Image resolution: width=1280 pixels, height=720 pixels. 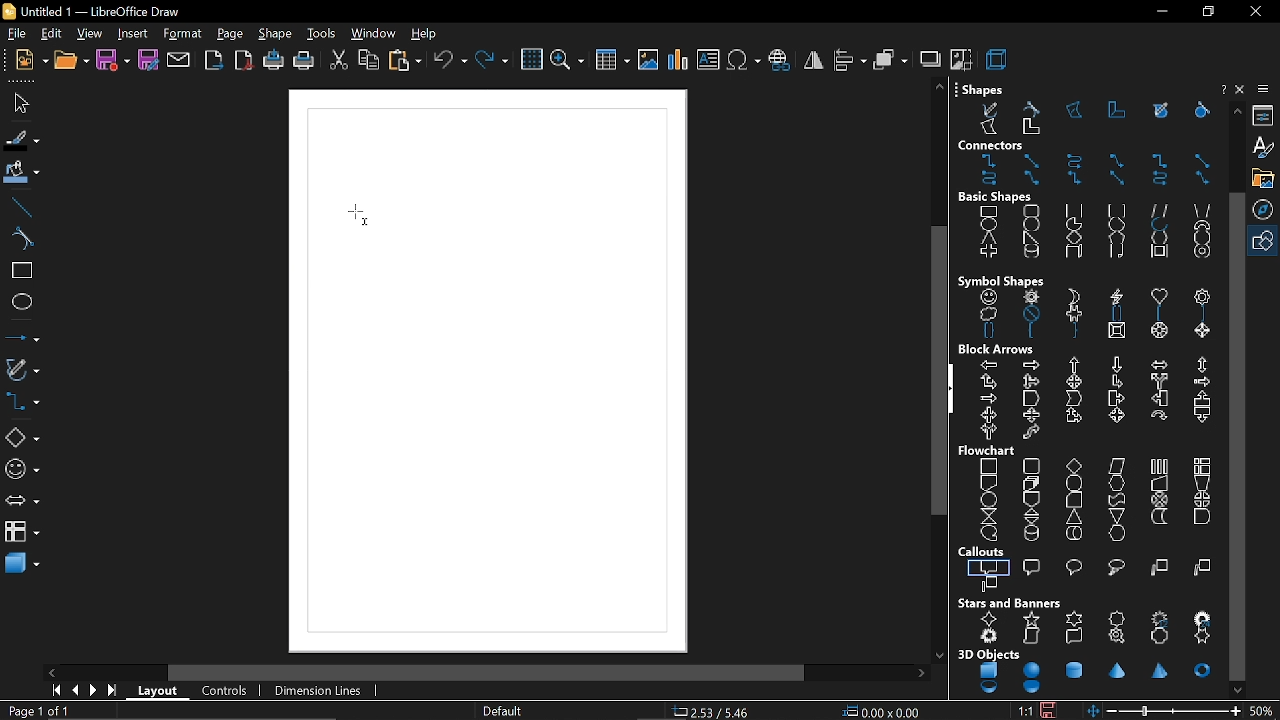 I want to click on insert image, so click(x=647, y=62).